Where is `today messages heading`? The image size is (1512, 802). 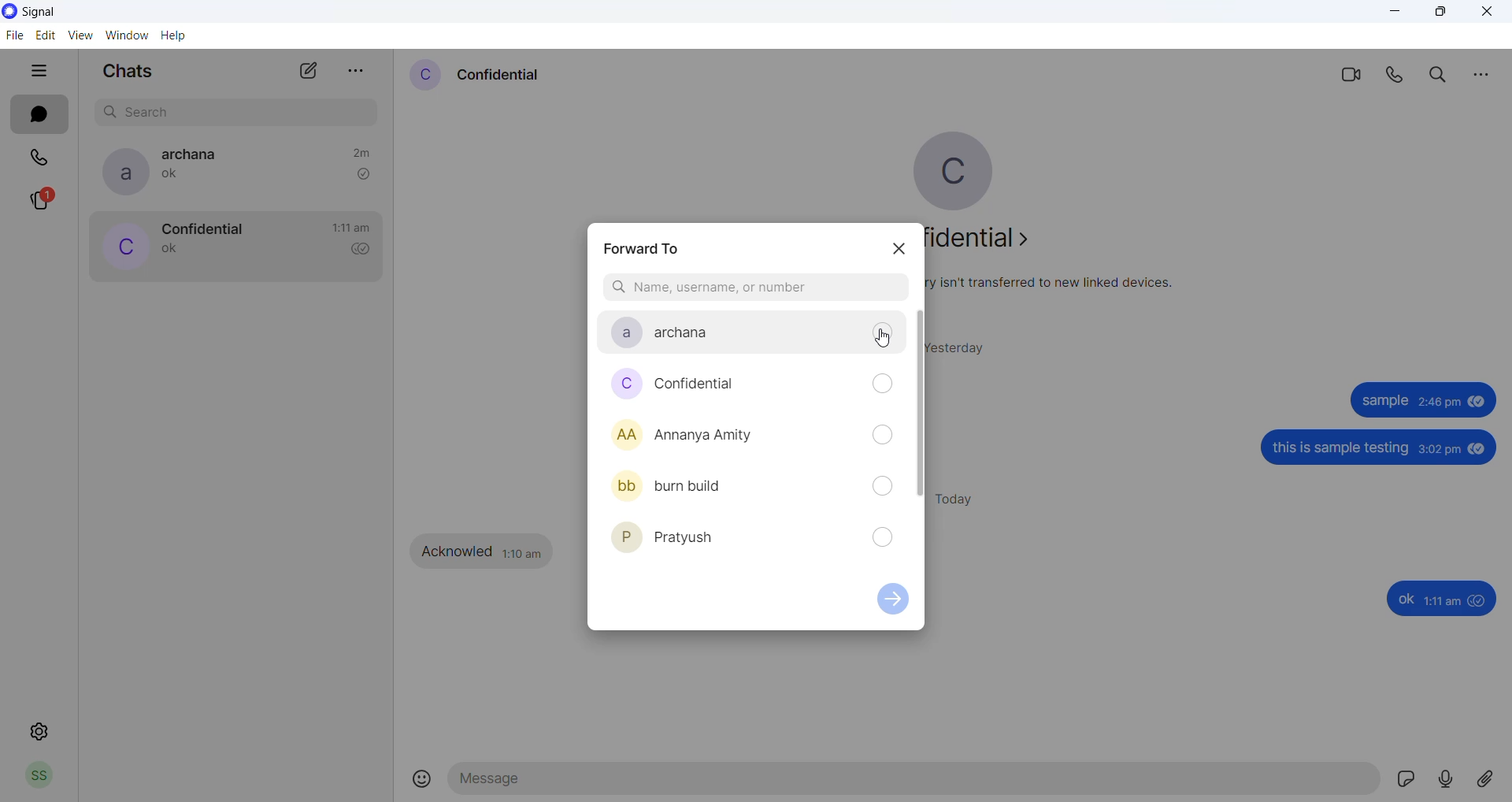 today messages heading is located at coordinates (963, 497).